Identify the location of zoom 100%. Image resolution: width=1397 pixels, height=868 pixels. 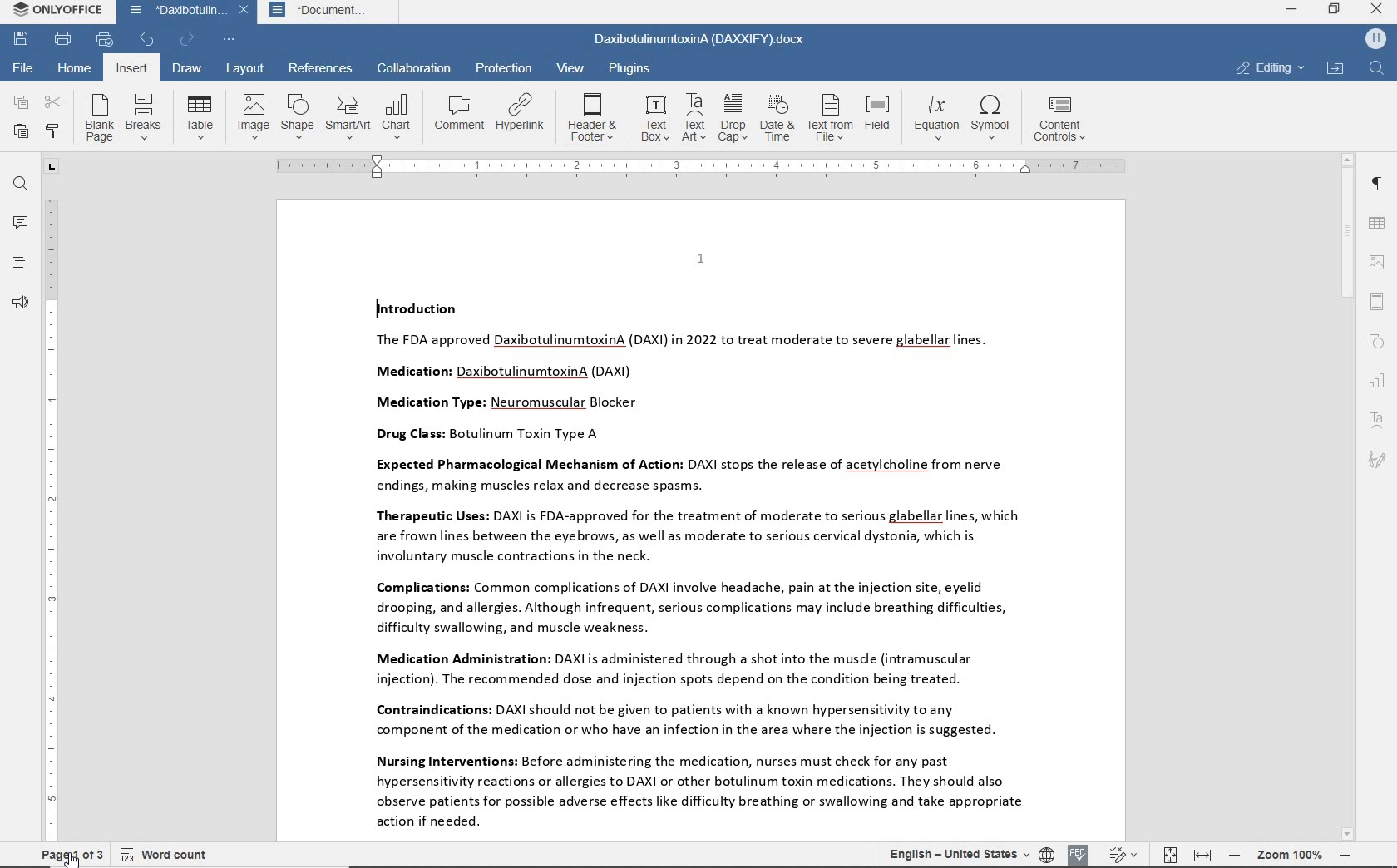
(1289, 854).